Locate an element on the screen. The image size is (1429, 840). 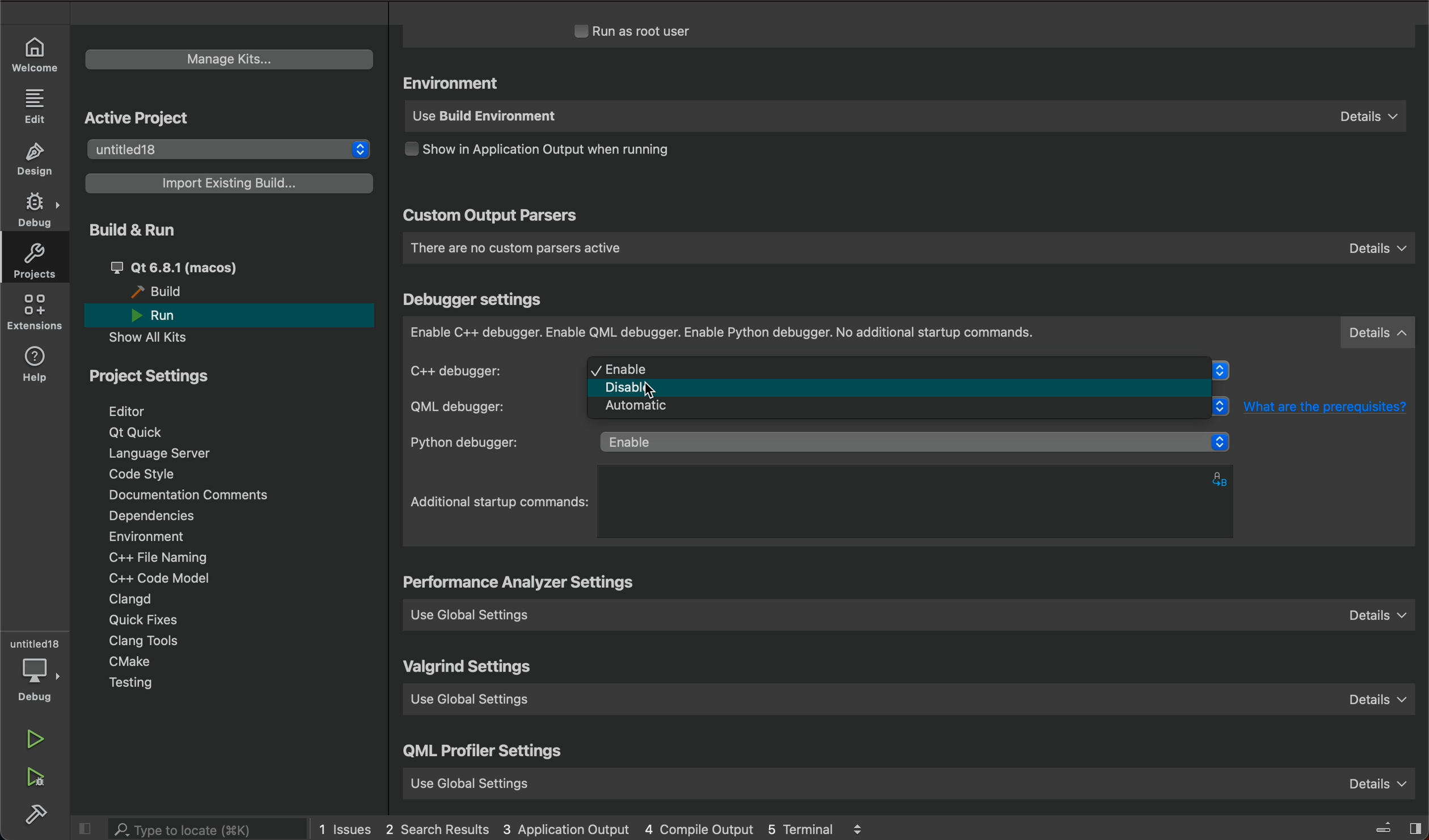
DESIGN is located at coordinates (39, 160).